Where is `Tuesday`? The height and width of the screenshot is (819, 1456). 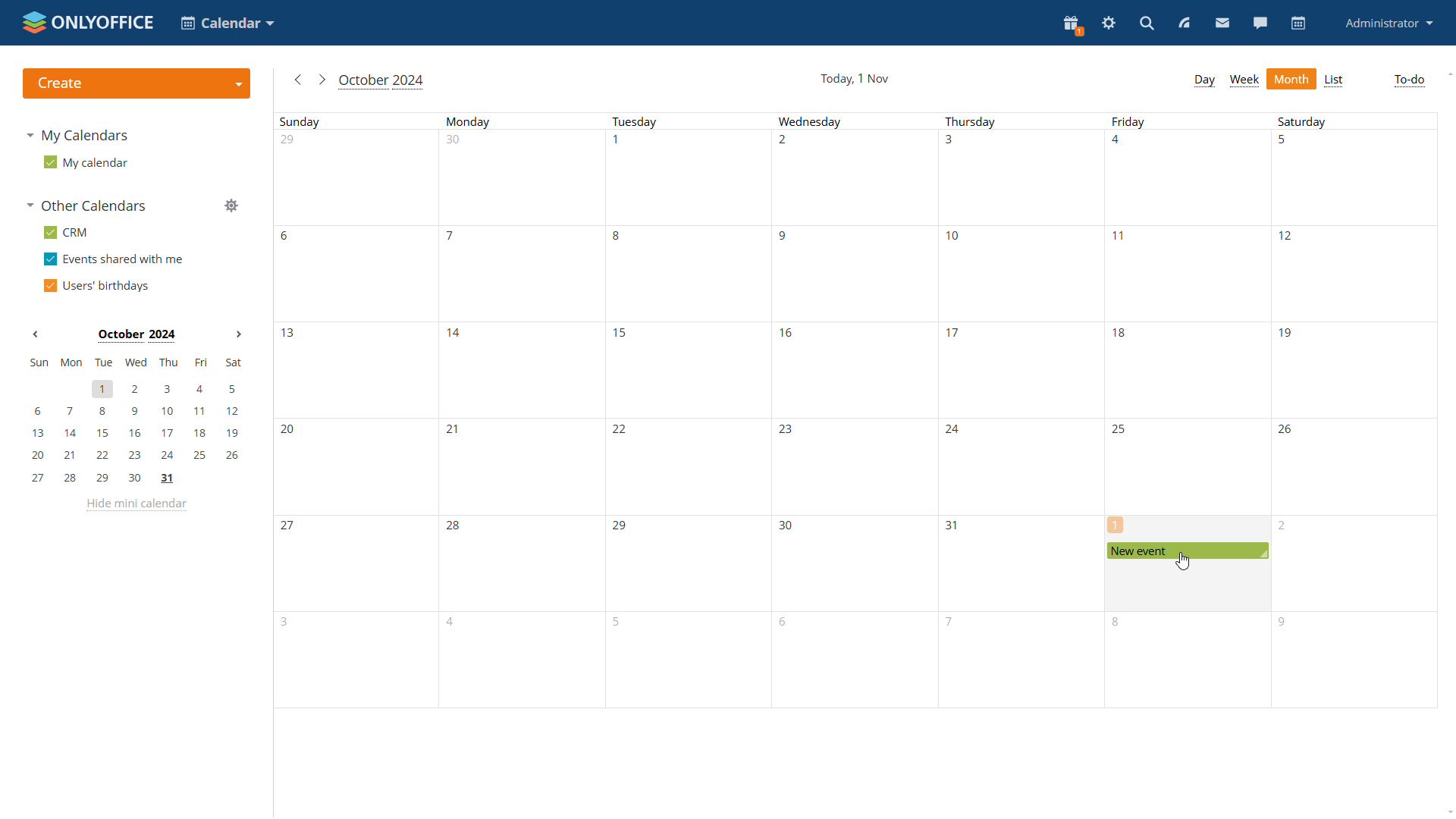
Tuesday is located at coordinates (686, 413).